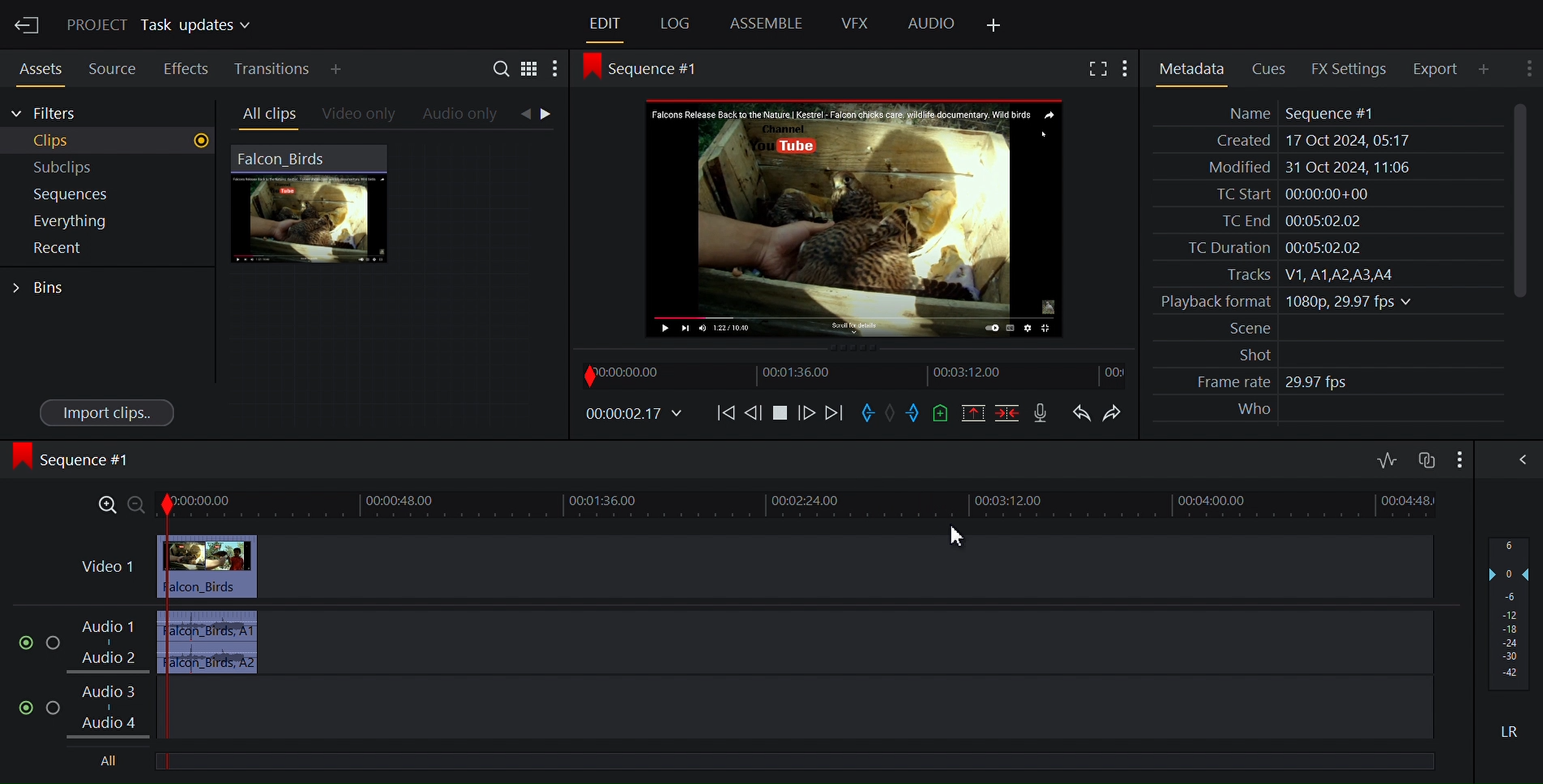  I want to click on Remove all marked sections, so click(972, 413).